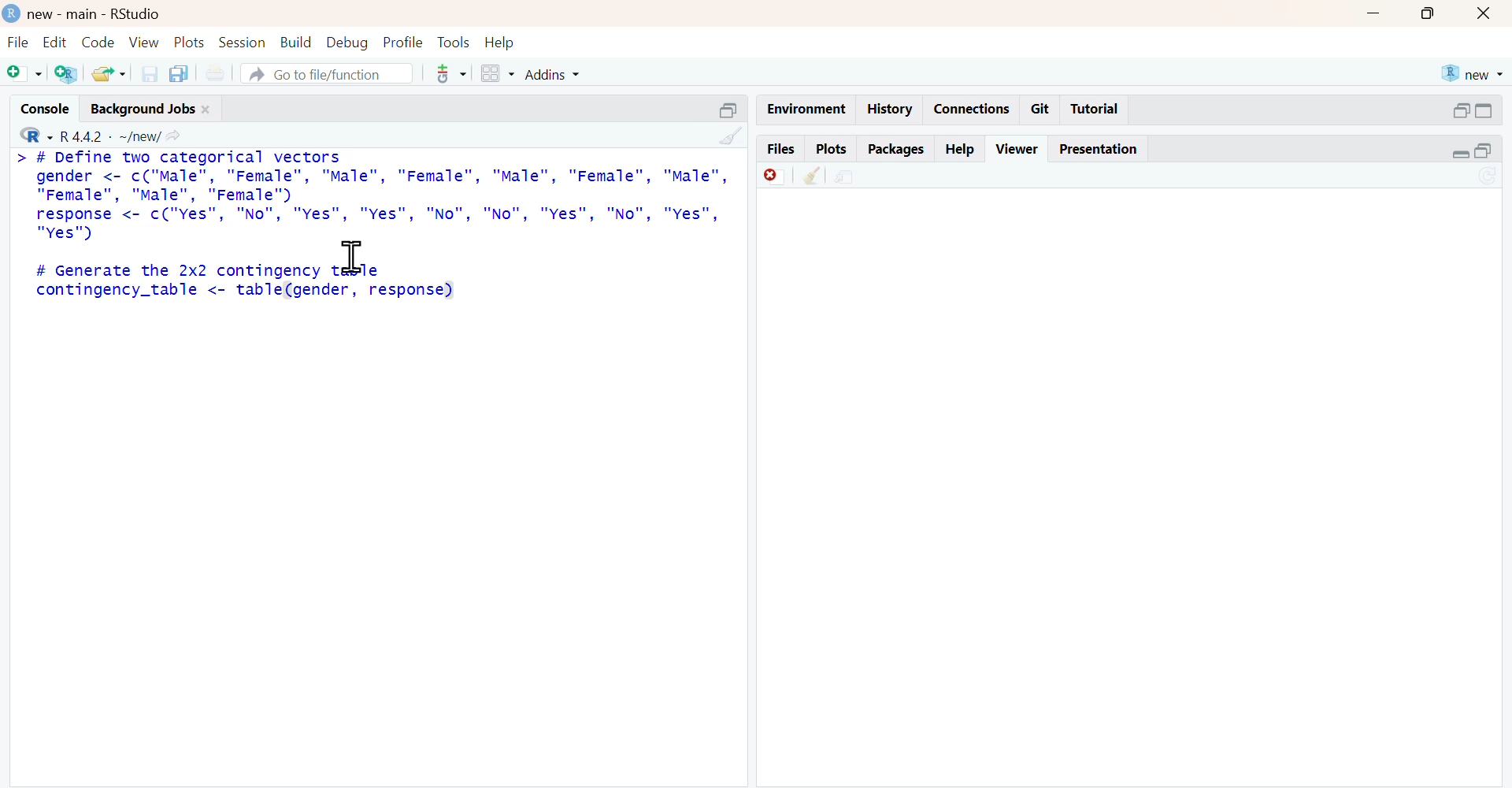 The width and height of the screenshot is (1512, 788). Describe the element at coordinates (808, 109) in the screenshot. I see `Environment ` at that location.